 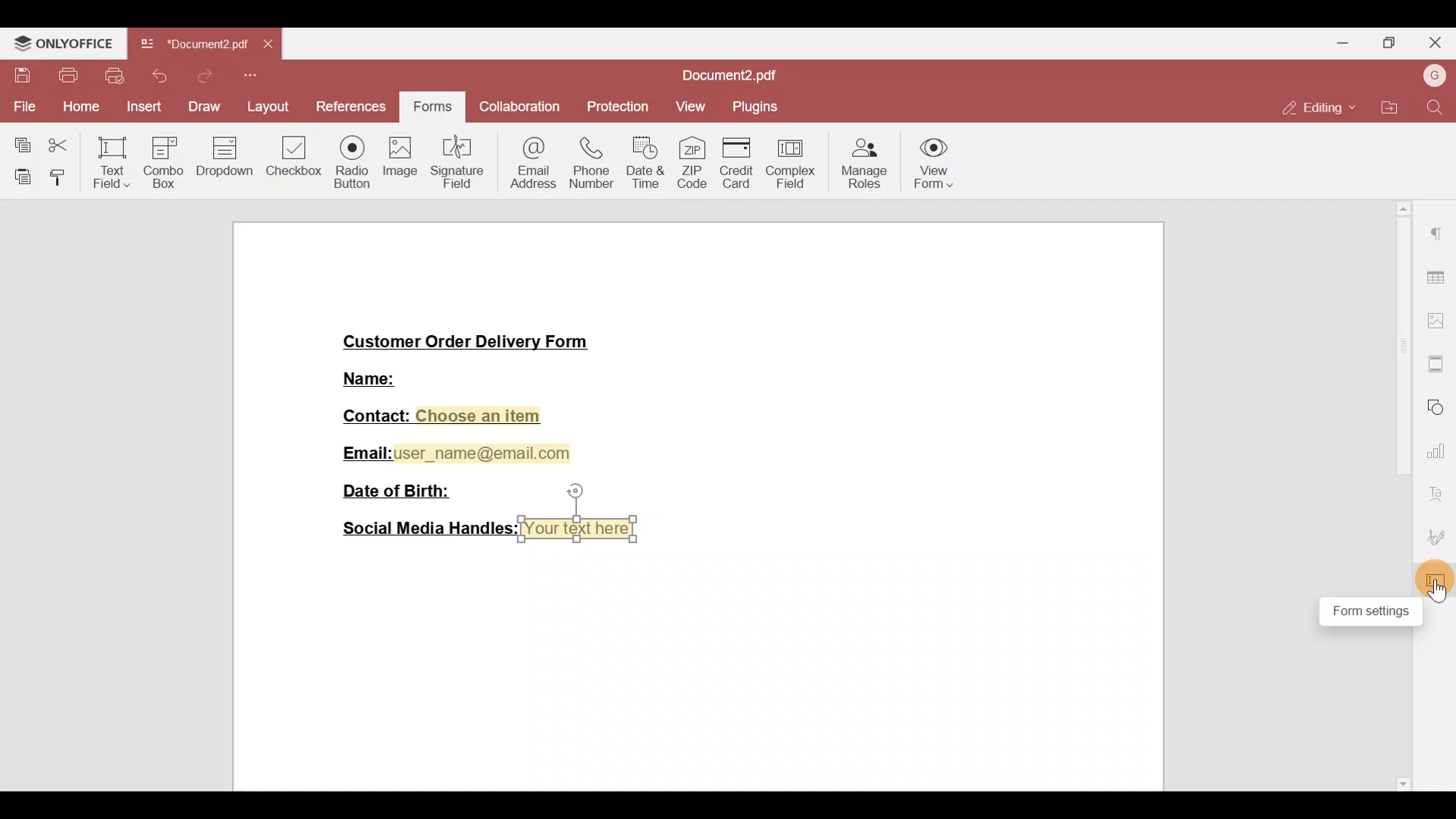 I want to click on Your text here, so click(x=591, y=527).